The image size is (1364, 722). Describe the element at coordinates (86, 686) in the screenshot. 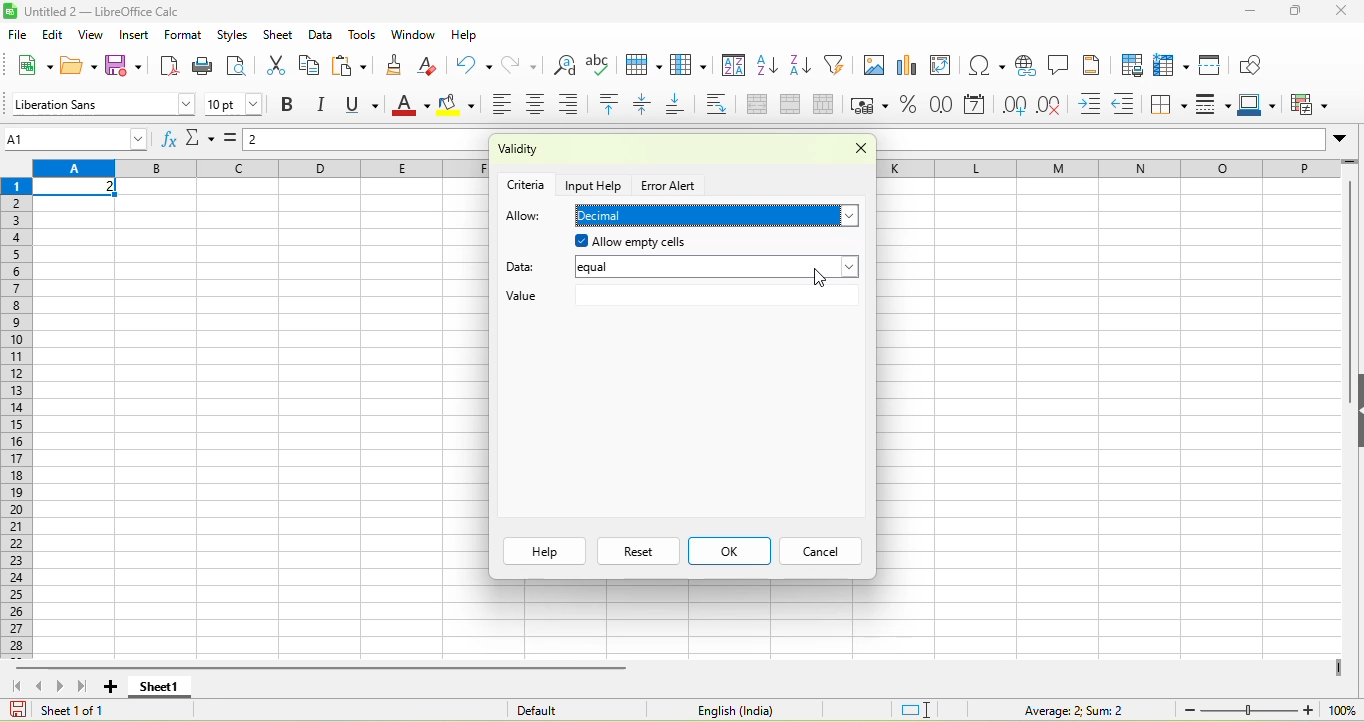

I see `scroll top last sheet` at that location.